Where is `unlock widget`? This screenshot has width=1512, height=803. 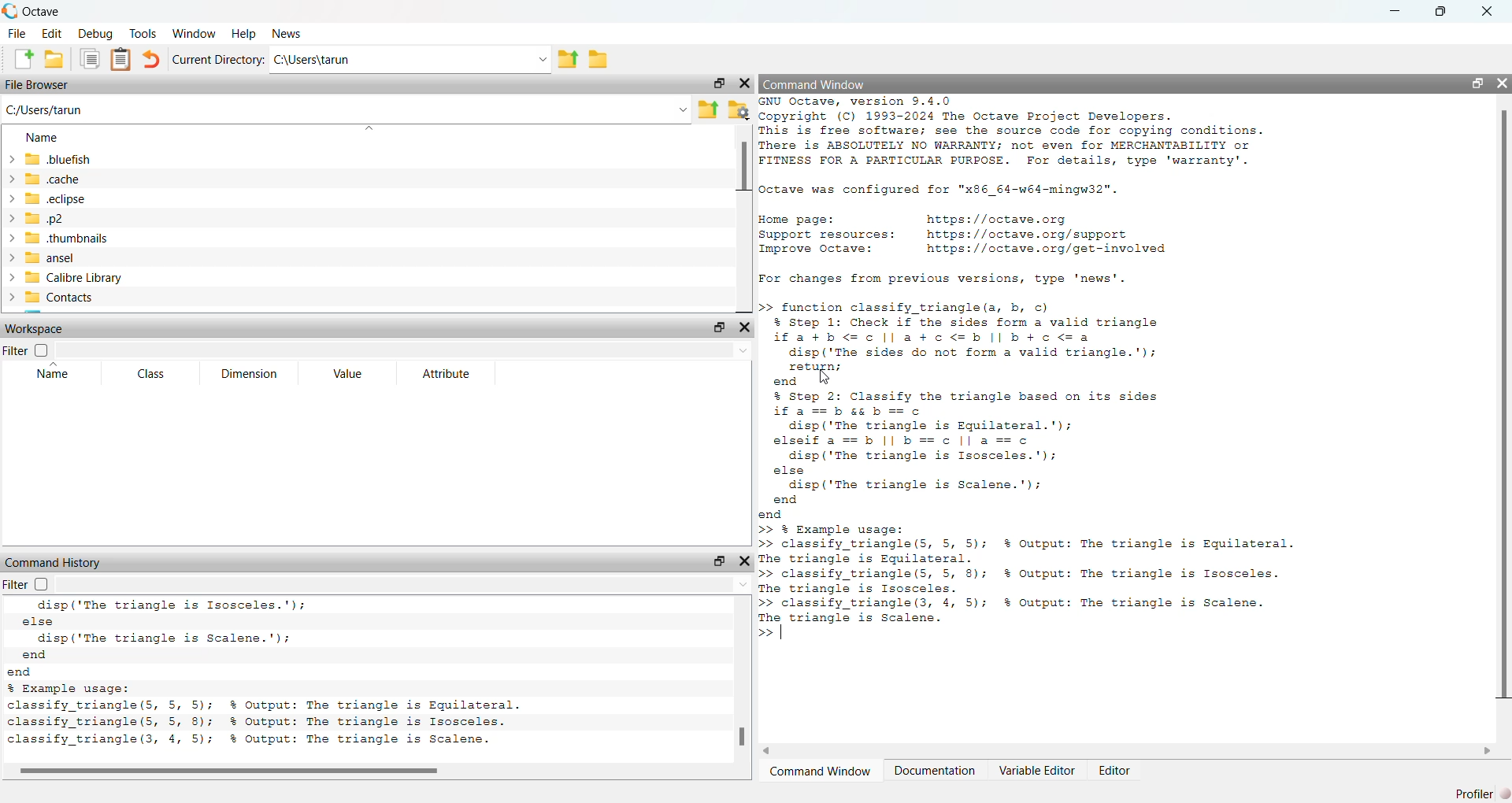
unlock widget is located at coordinates (1473, 82).